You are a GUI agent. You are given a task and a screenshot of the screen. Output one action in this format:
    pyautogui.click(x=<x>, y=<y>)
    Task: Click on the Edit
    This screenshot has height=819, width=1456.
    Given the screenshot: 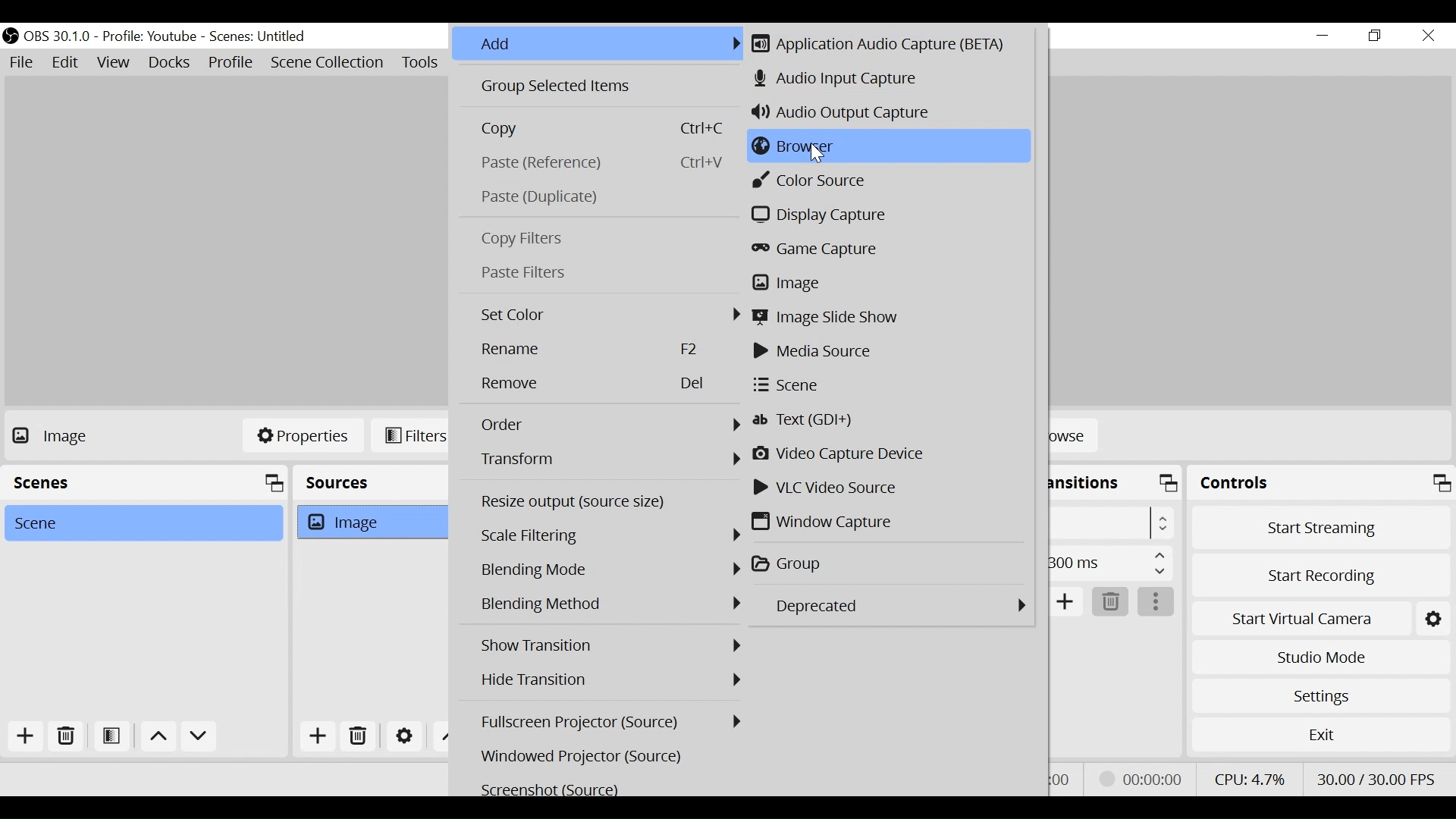 What is the action you would take?
    pyautogui.click(x=66, y=64)
    